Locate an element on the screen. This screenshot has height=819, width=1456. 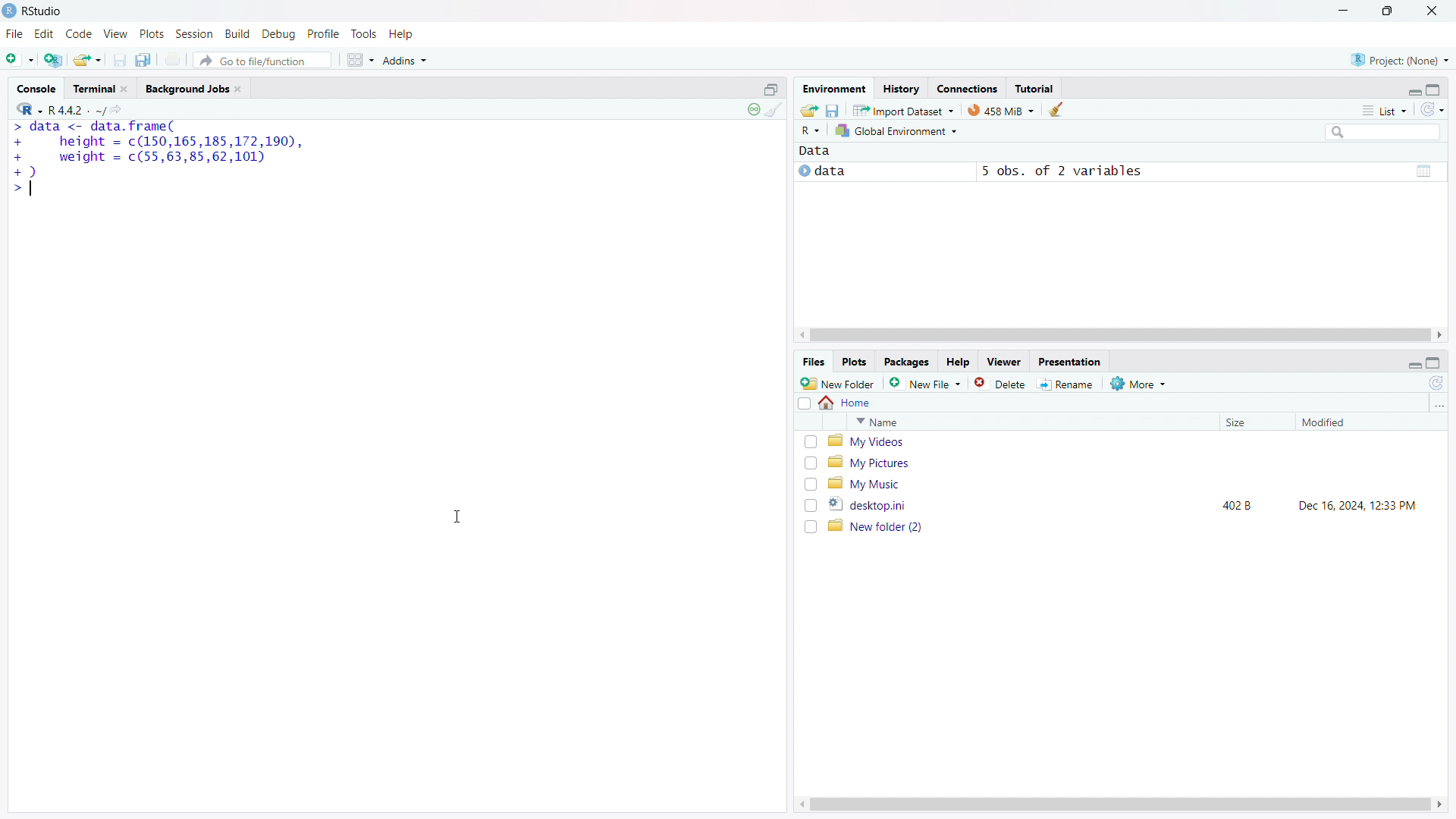
show status is located at coordinates (753, 109).